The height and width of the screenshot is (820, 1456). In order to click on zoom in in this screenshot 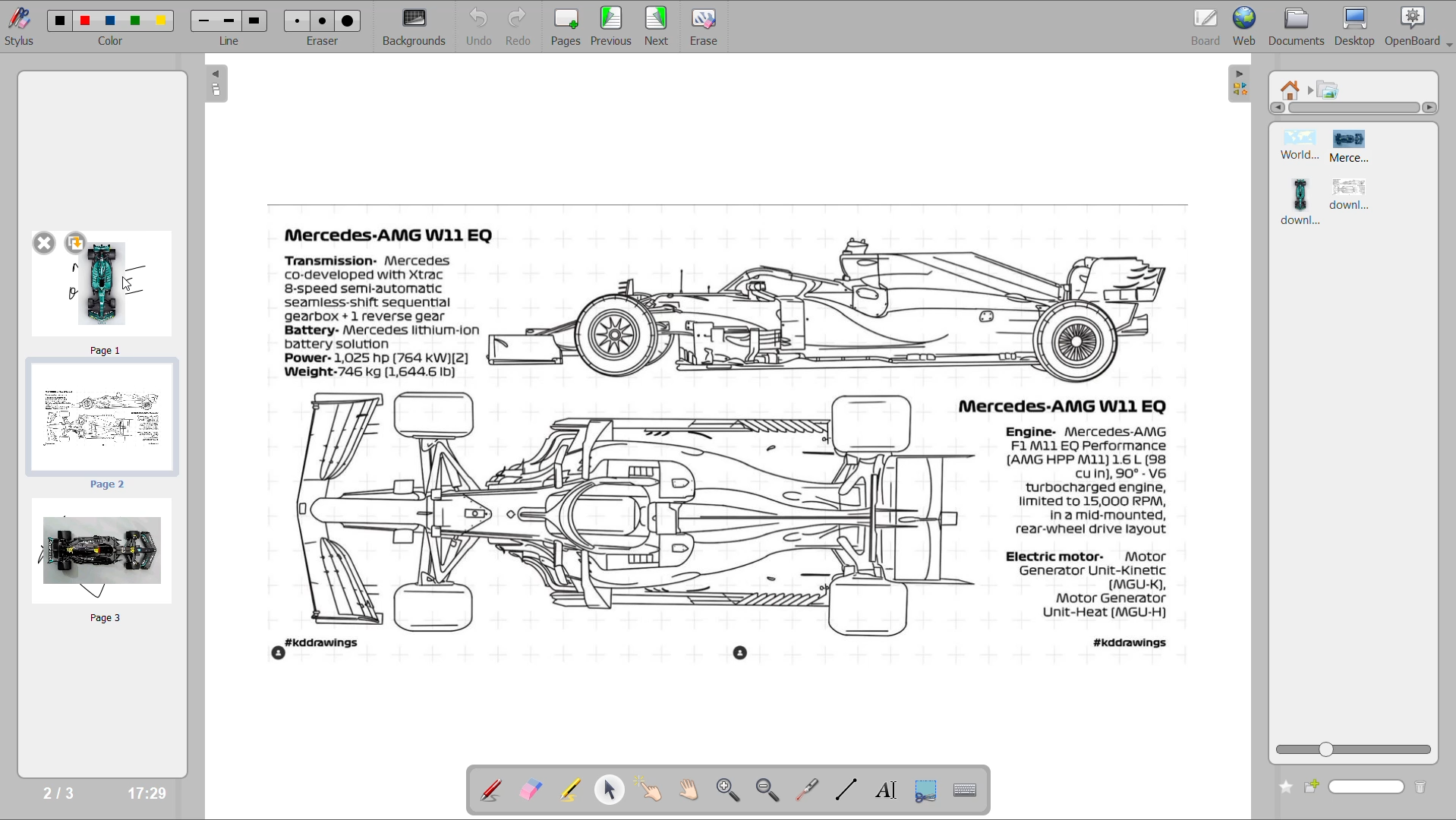, I will do `click(728, 791)`.